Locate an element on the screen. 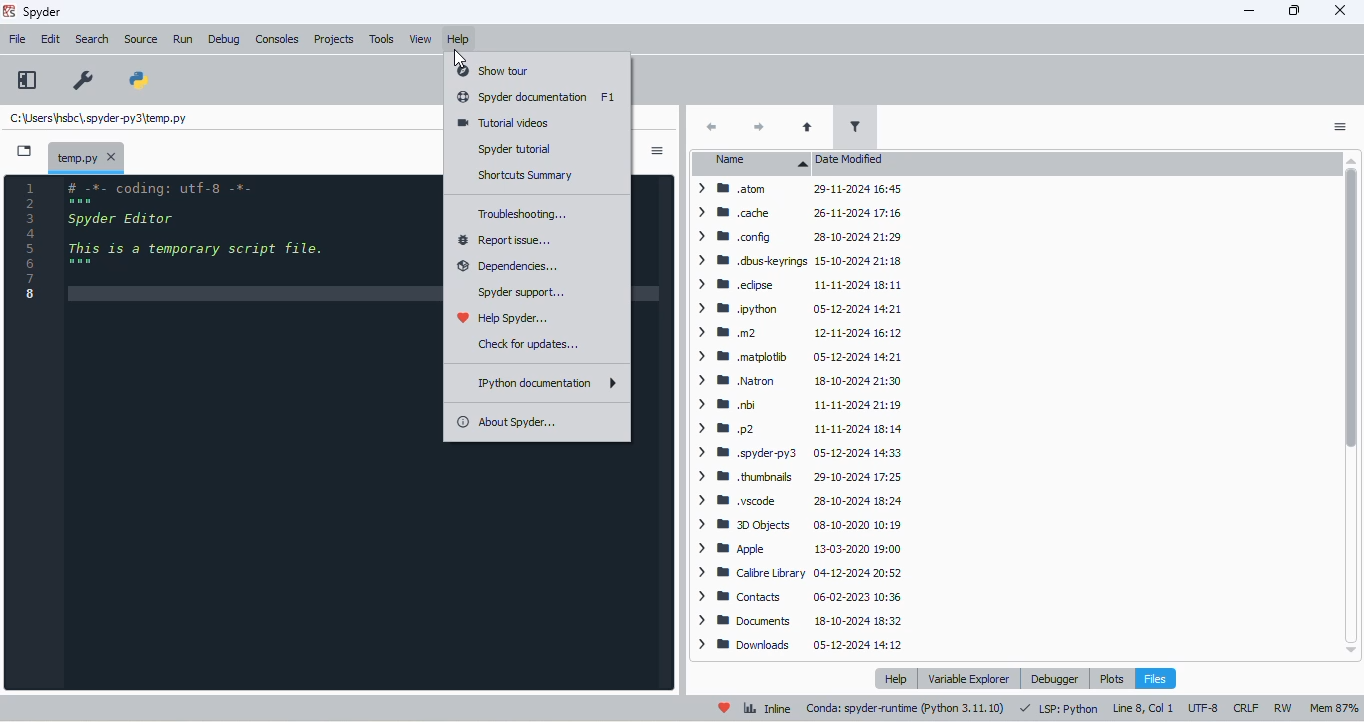 This screenshot has width=1364, height=722. CRLF is located at coordinates (1247, 708).